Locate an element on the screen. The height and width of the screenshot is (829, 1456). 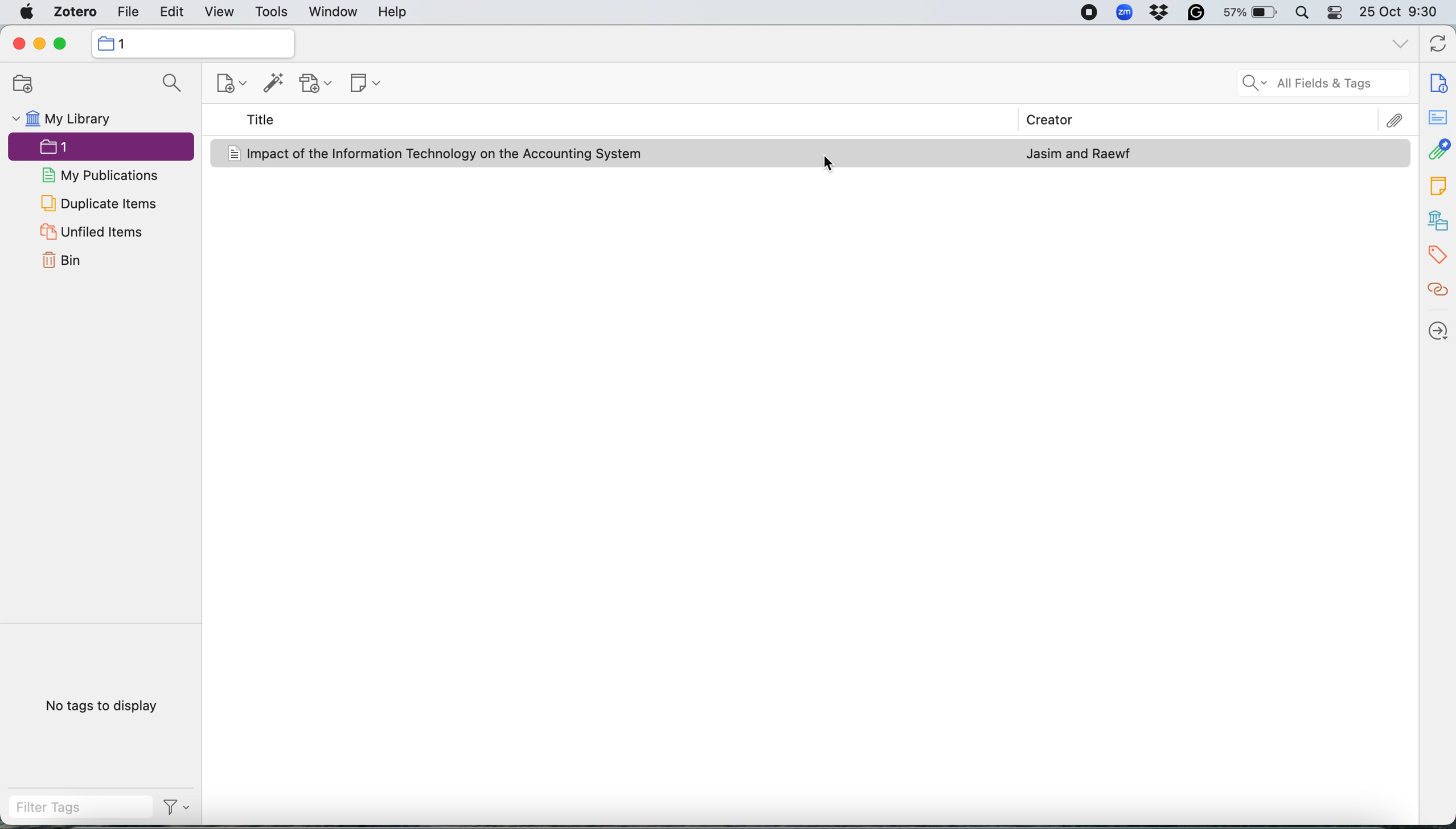
my library is located at coordinates (87, 121).